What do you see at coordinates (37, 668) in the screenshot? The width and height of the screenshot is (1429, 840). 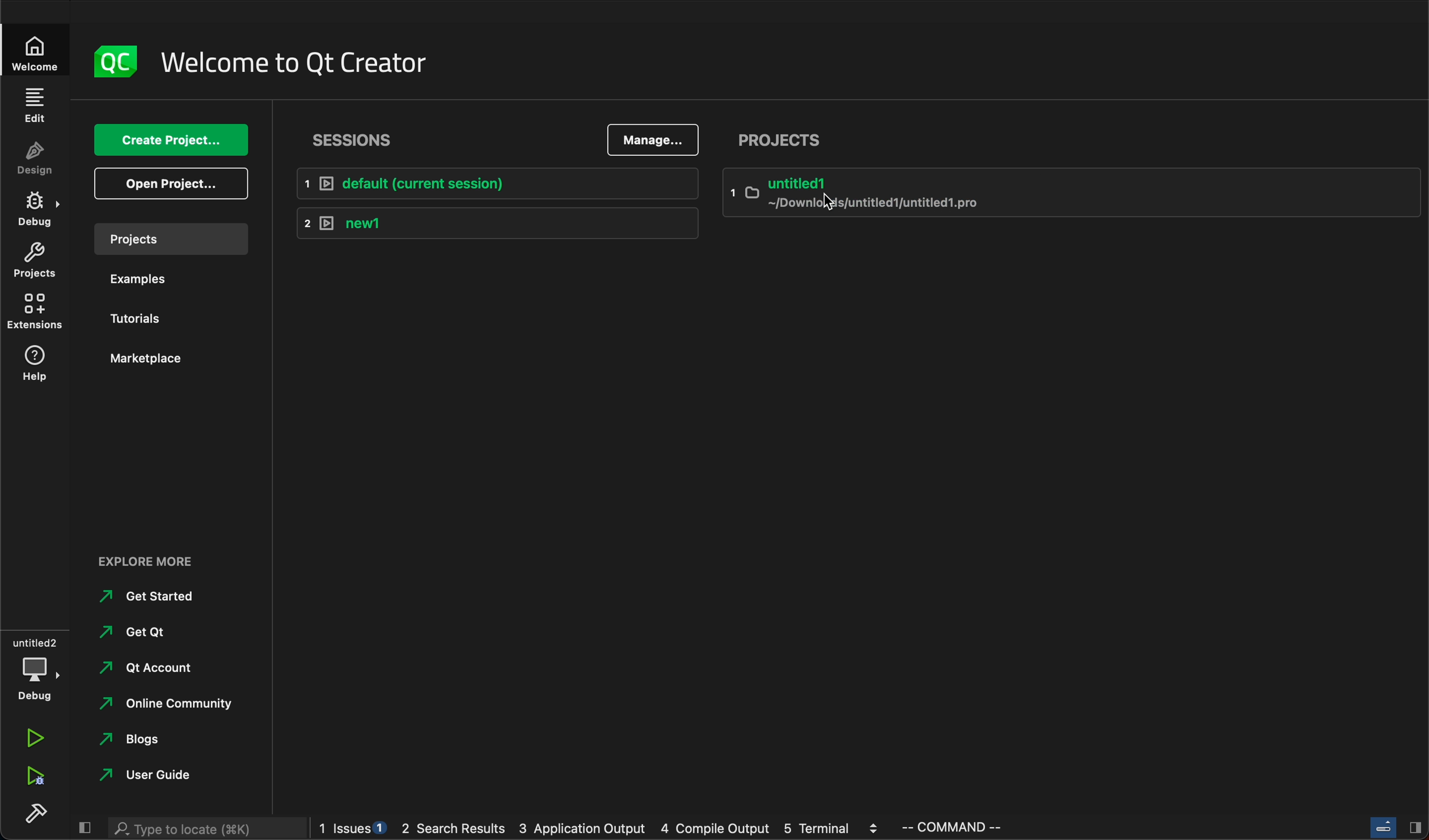 I see `debug` at bounding box center [37, 668].